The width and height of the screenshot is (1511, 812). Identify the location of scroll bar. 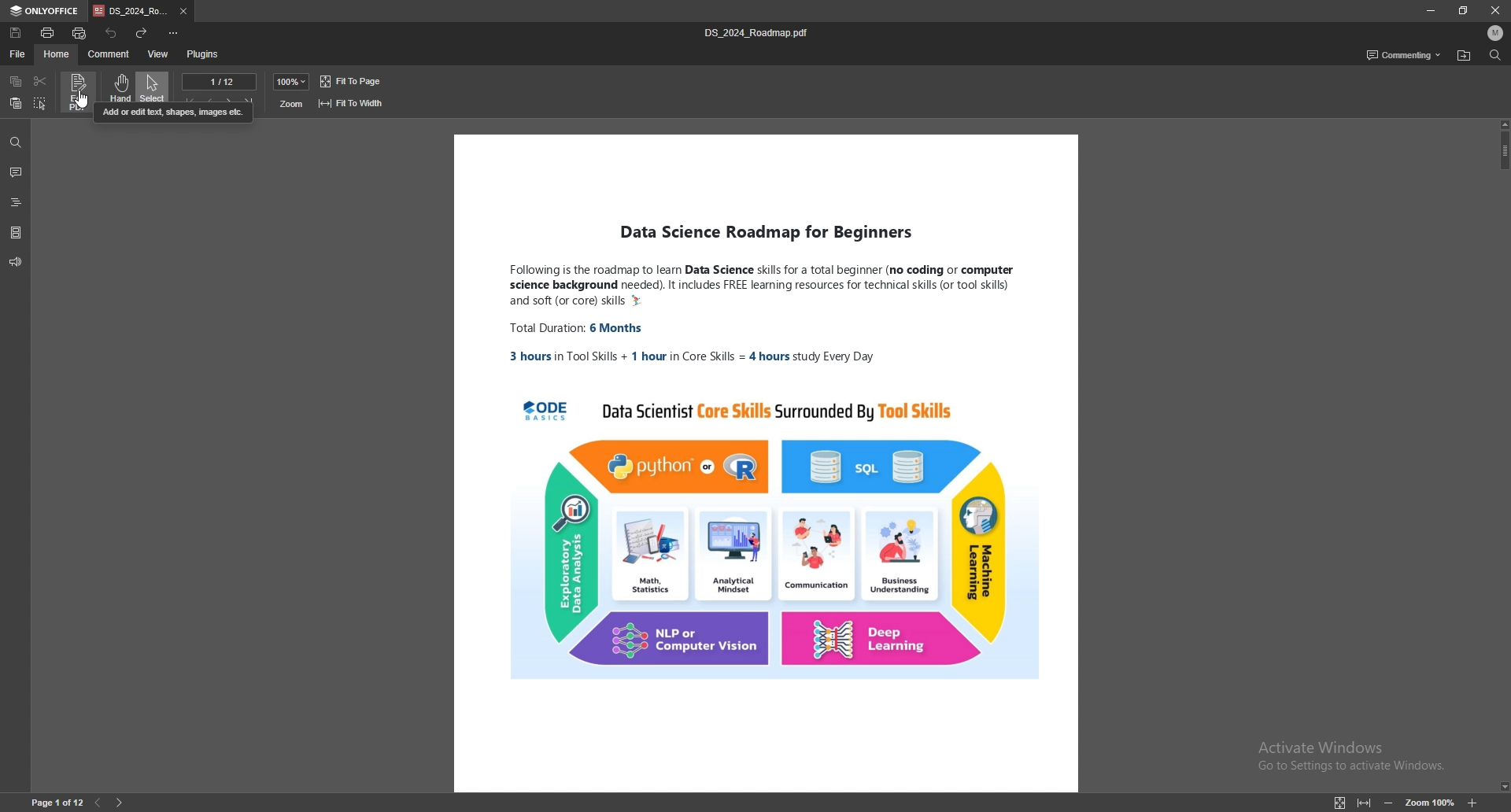
(1503, 456).